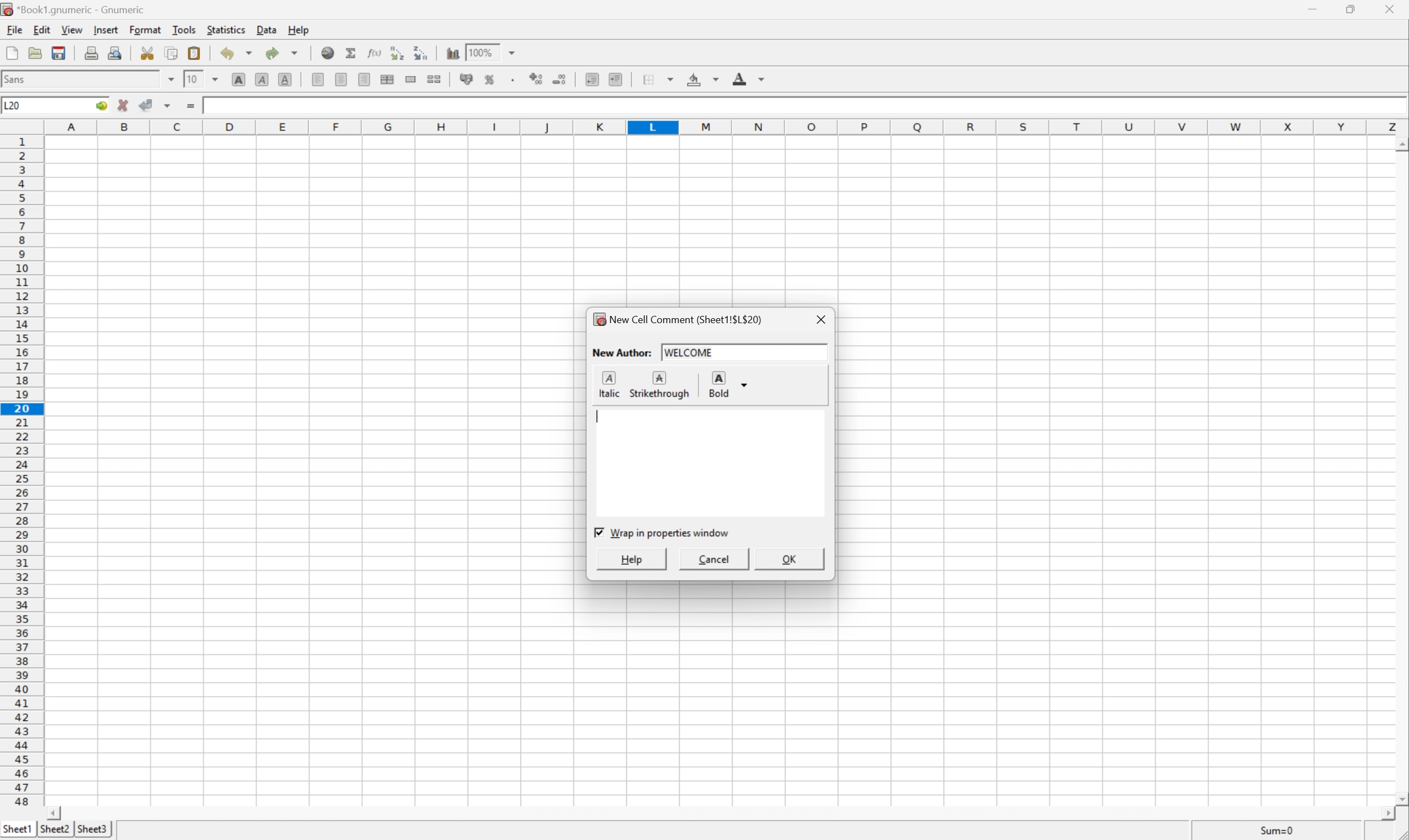 The height and width of the screenshot is (840, 1409). What do you see at coordinates (73, 29) in the screenshot?
I see `View` at bounding box center [73, 29].